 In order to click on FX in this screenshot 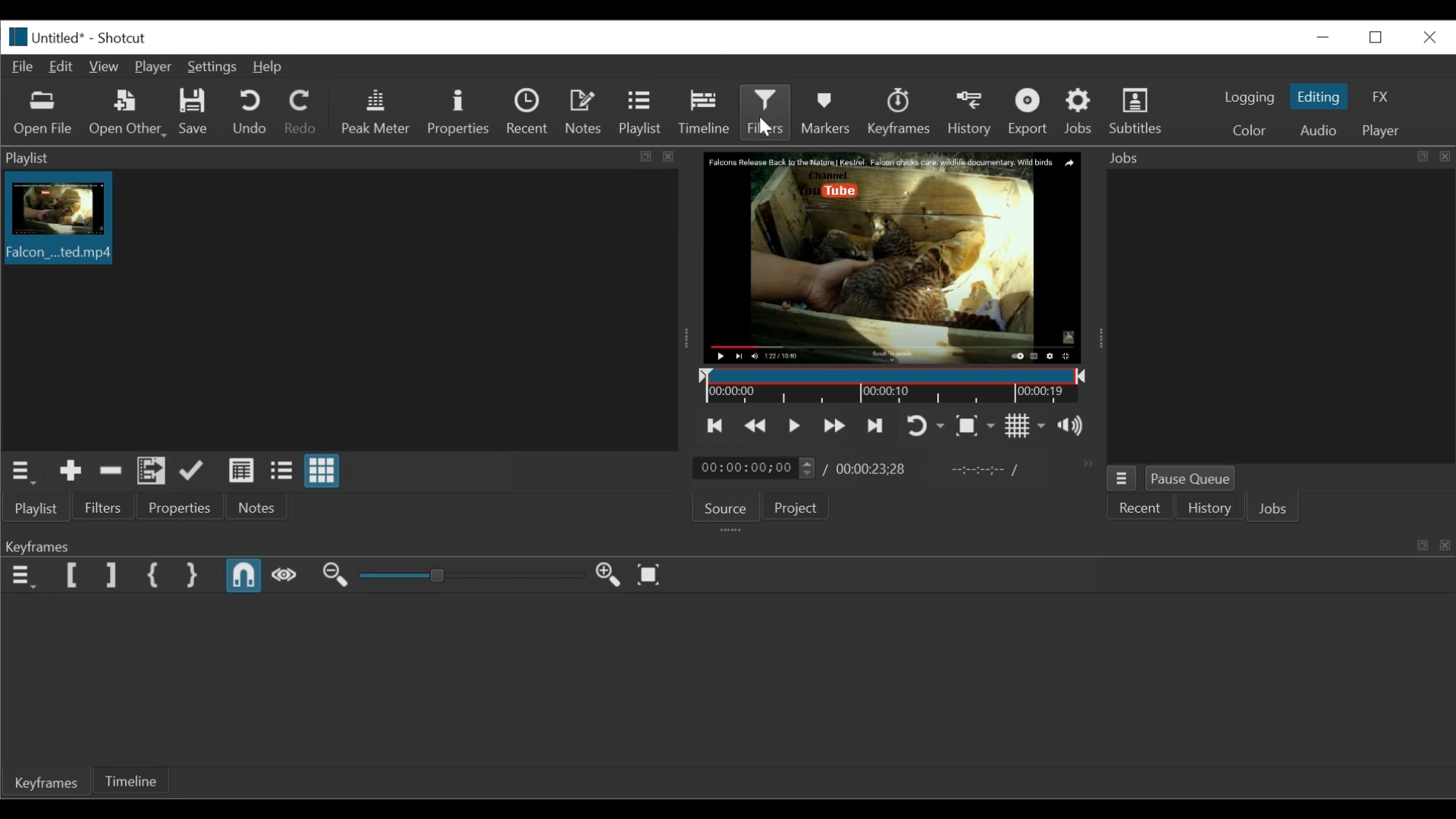, I will do `click(1380, 97)`.